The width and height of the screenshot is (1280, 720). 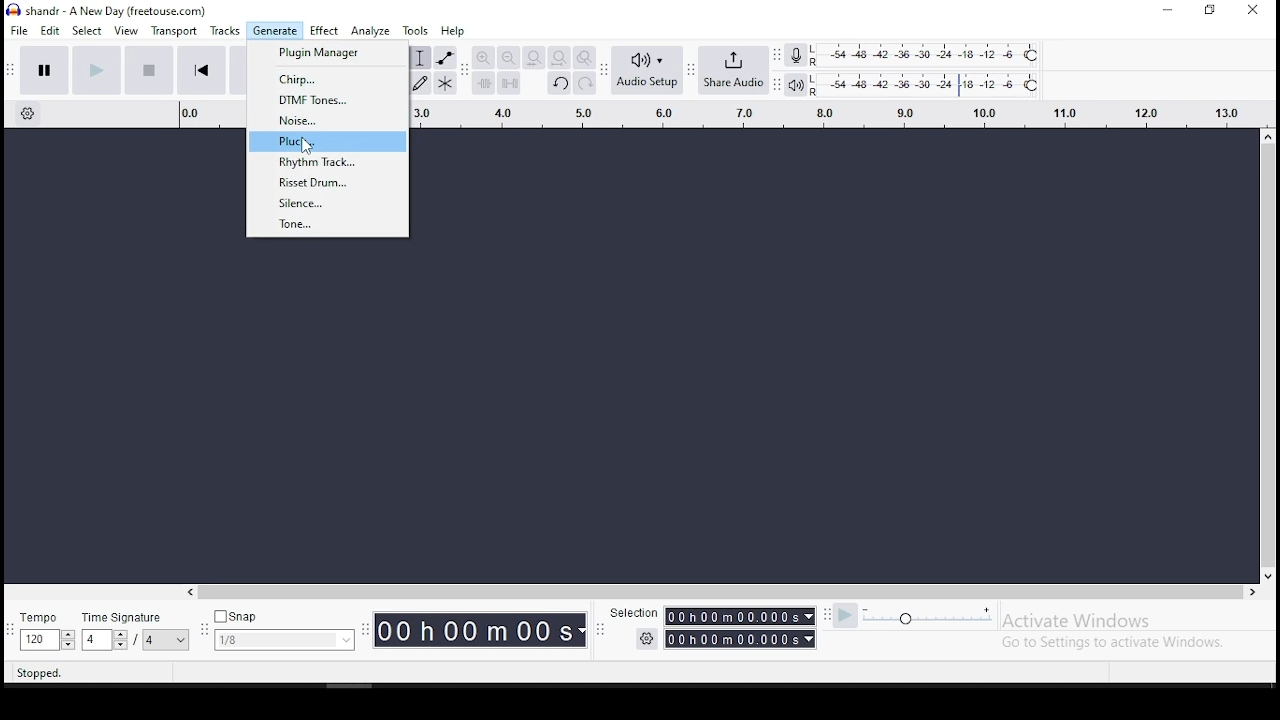 What do you see at coordinates (1268, 354) in the screenshot?
I see `scroll bar` at bounding box center [1268, 354].